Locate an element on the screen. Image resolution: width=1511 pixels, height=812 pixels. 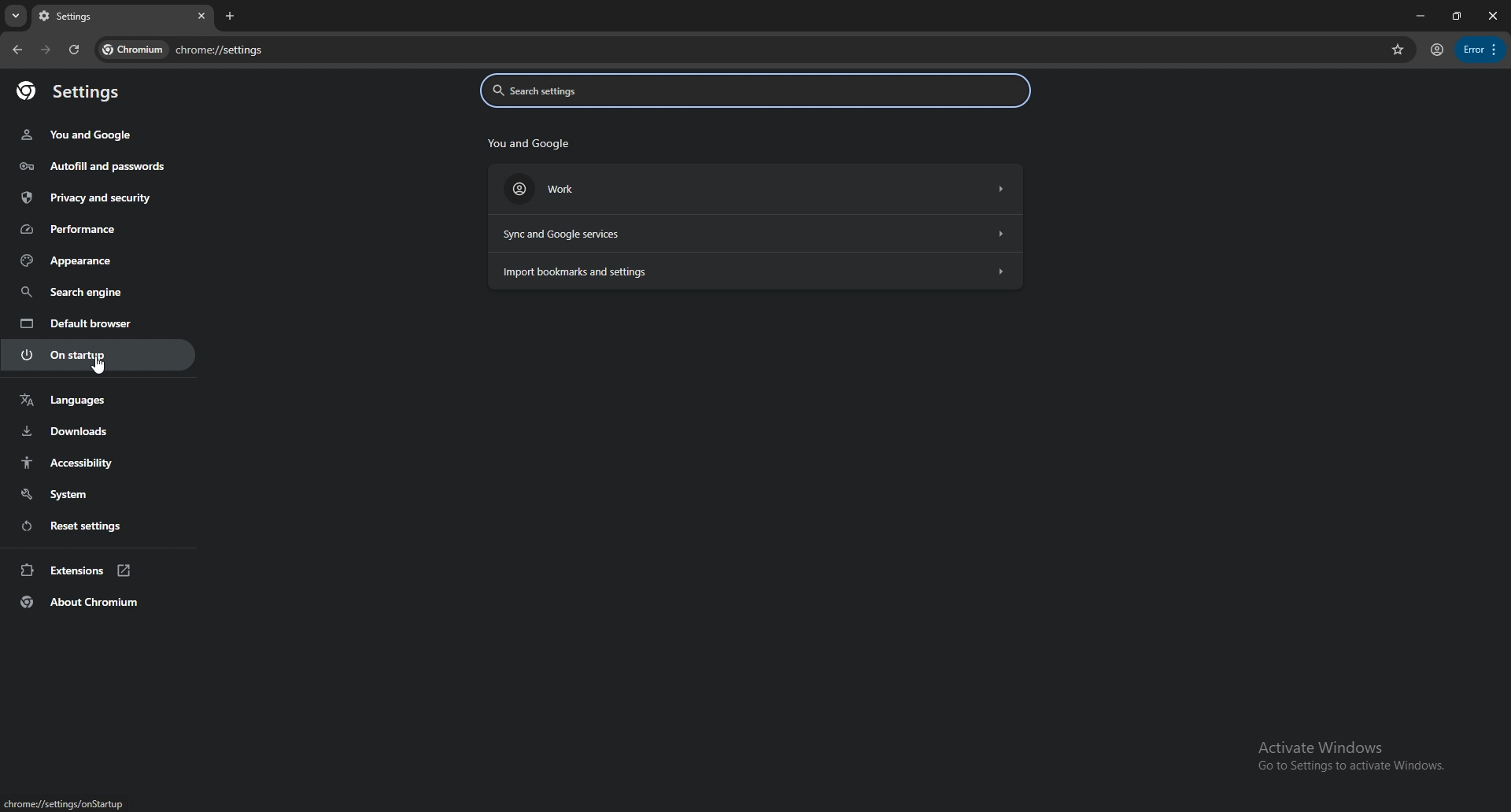
close tab is located at coordinates (199, 17).